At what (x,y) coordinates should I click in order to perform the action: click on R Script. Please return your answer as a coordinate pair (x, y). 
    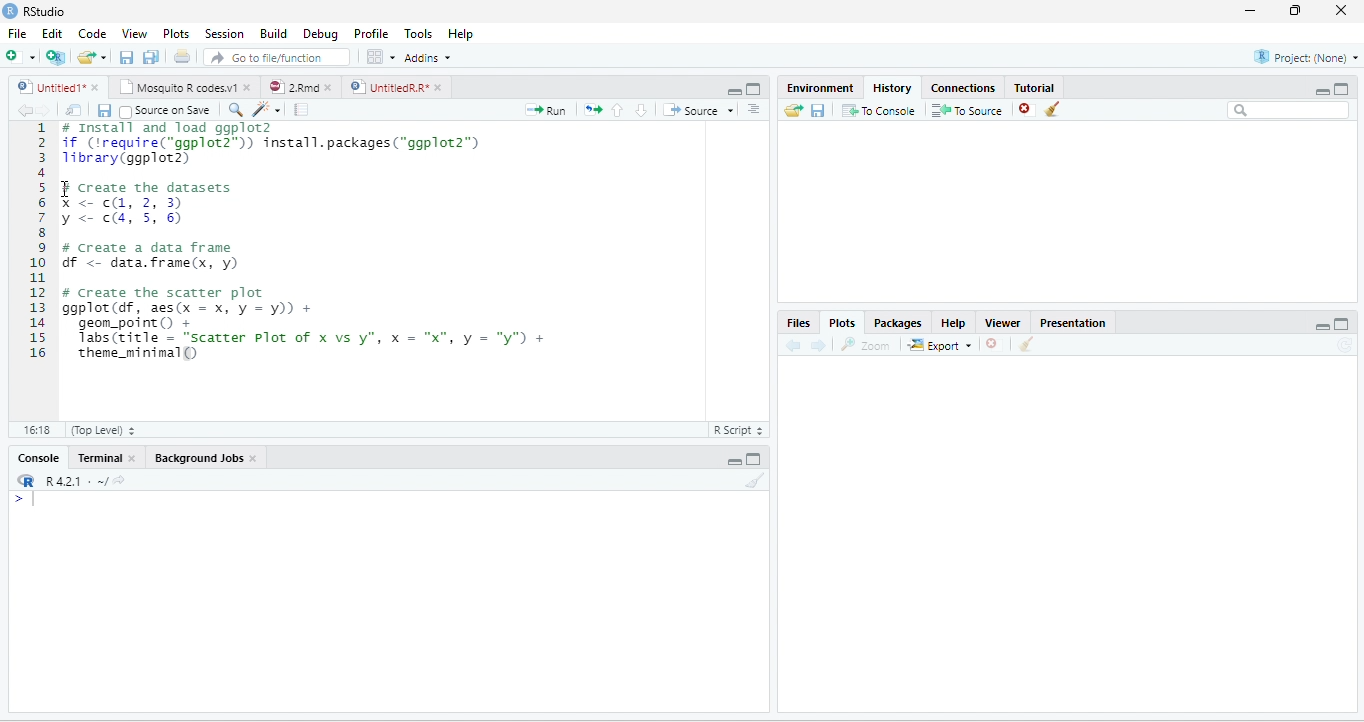
    Looking at the image, I should click on (740, 430).